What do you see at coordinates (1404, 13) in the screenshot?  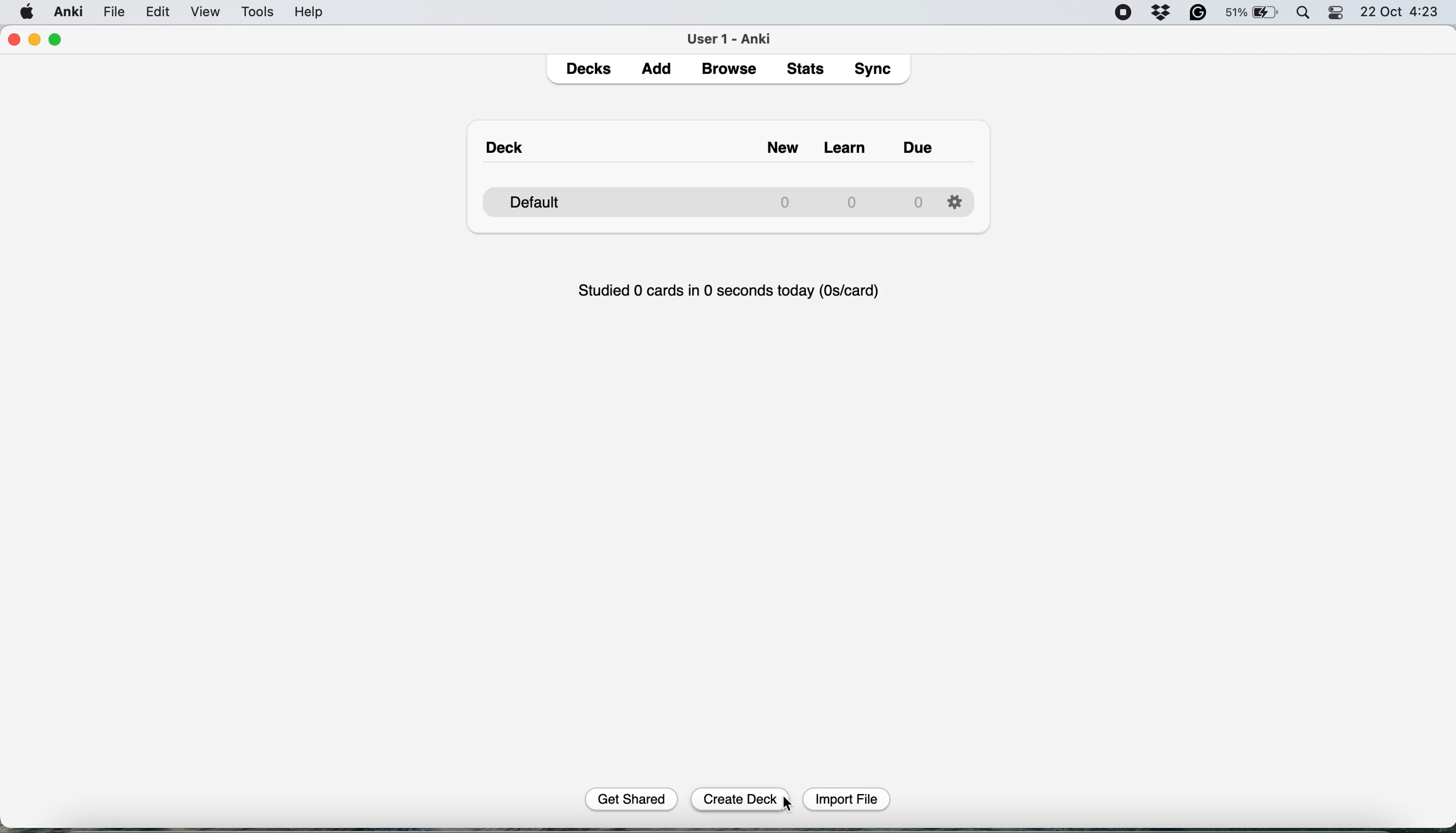 I see `22 Oct 4:23` at bounding box center [1404, 13].